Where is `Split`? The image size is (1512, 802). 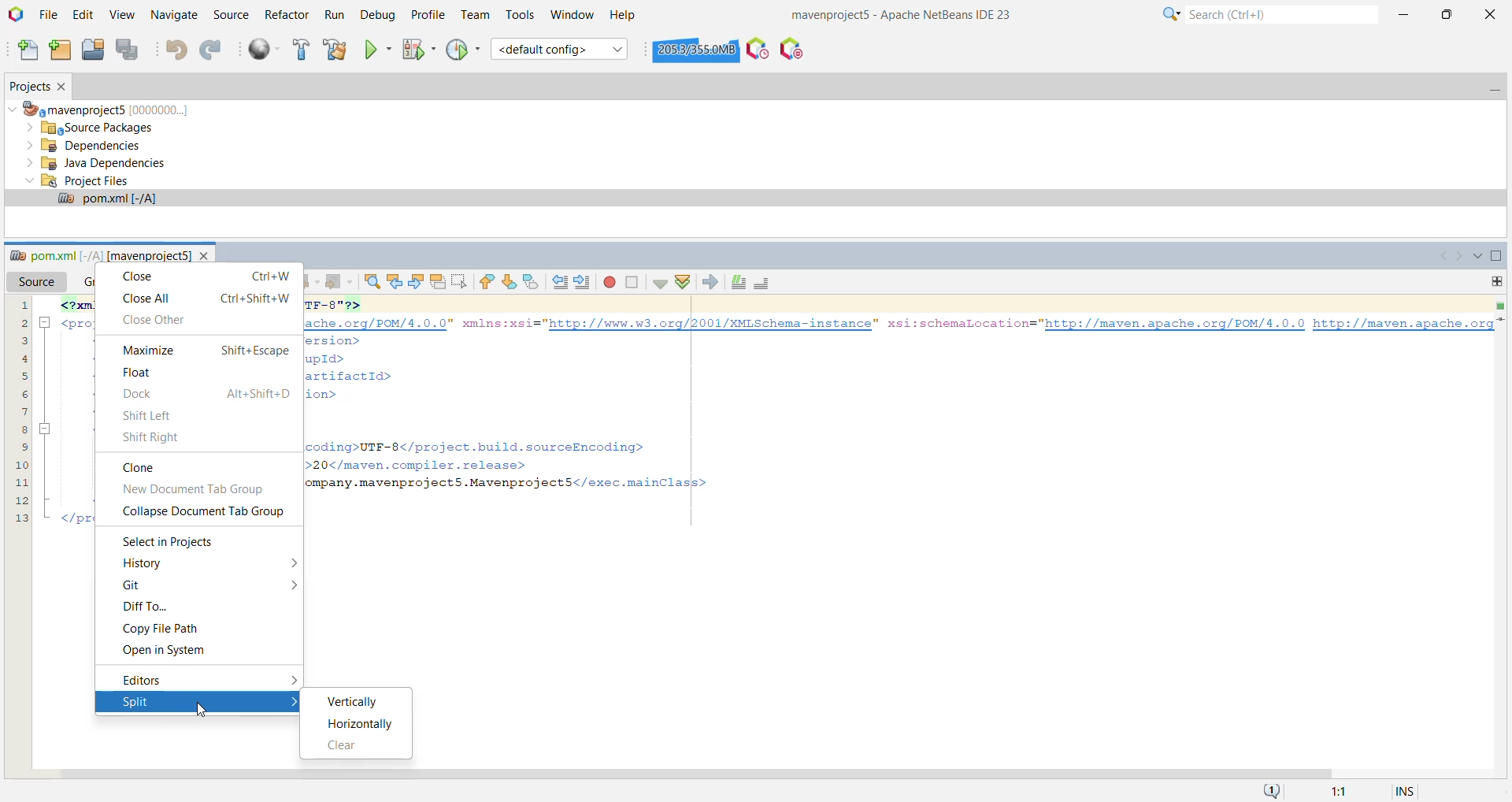 Split is located at coordinates (182, 701).